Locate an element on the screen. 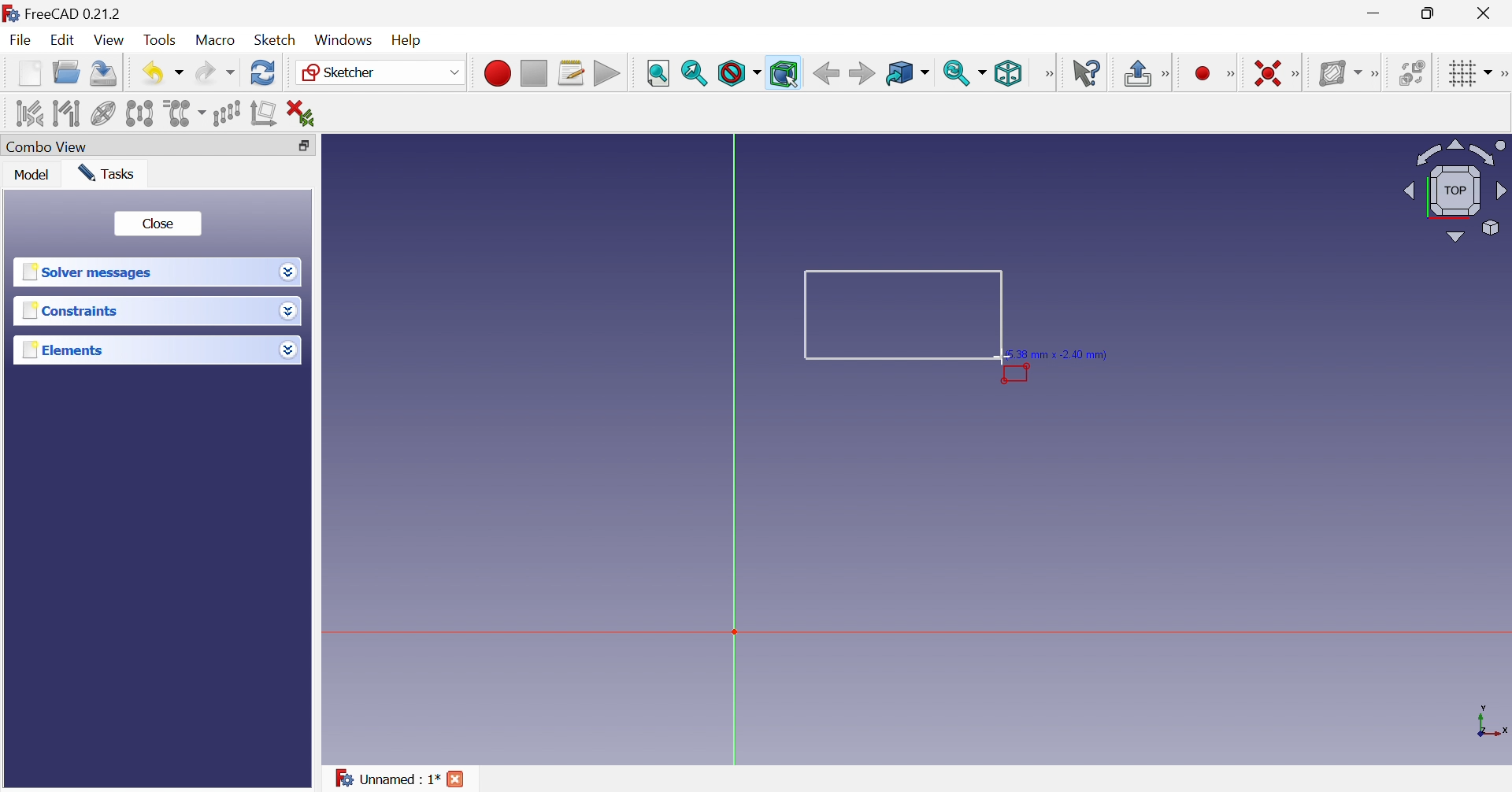 This screenshot has width=1512, height=792. Restore down is located at coordinates (306, 147).